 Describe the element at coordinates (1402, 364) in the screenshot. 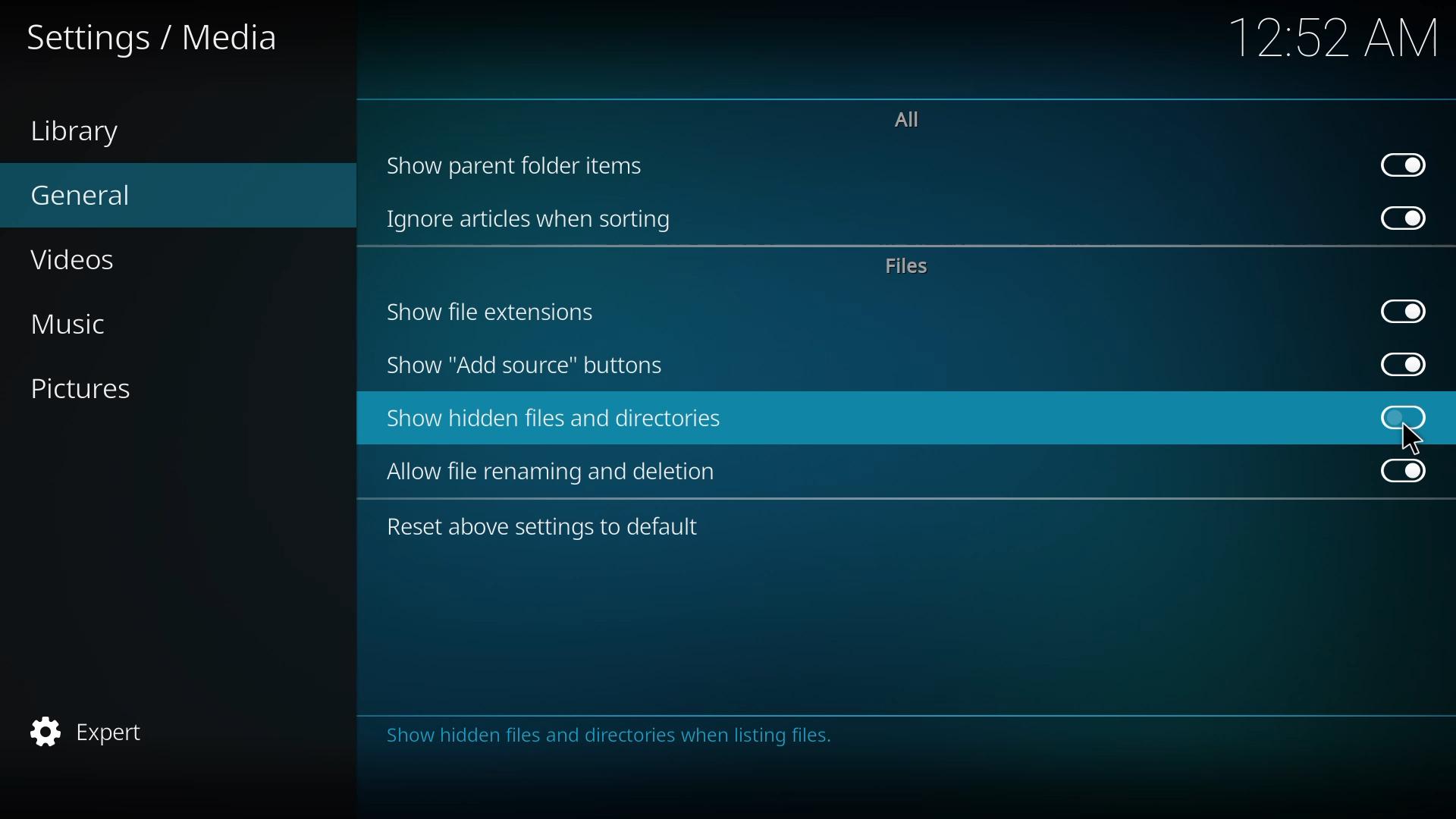

I see `enabled` at that location.